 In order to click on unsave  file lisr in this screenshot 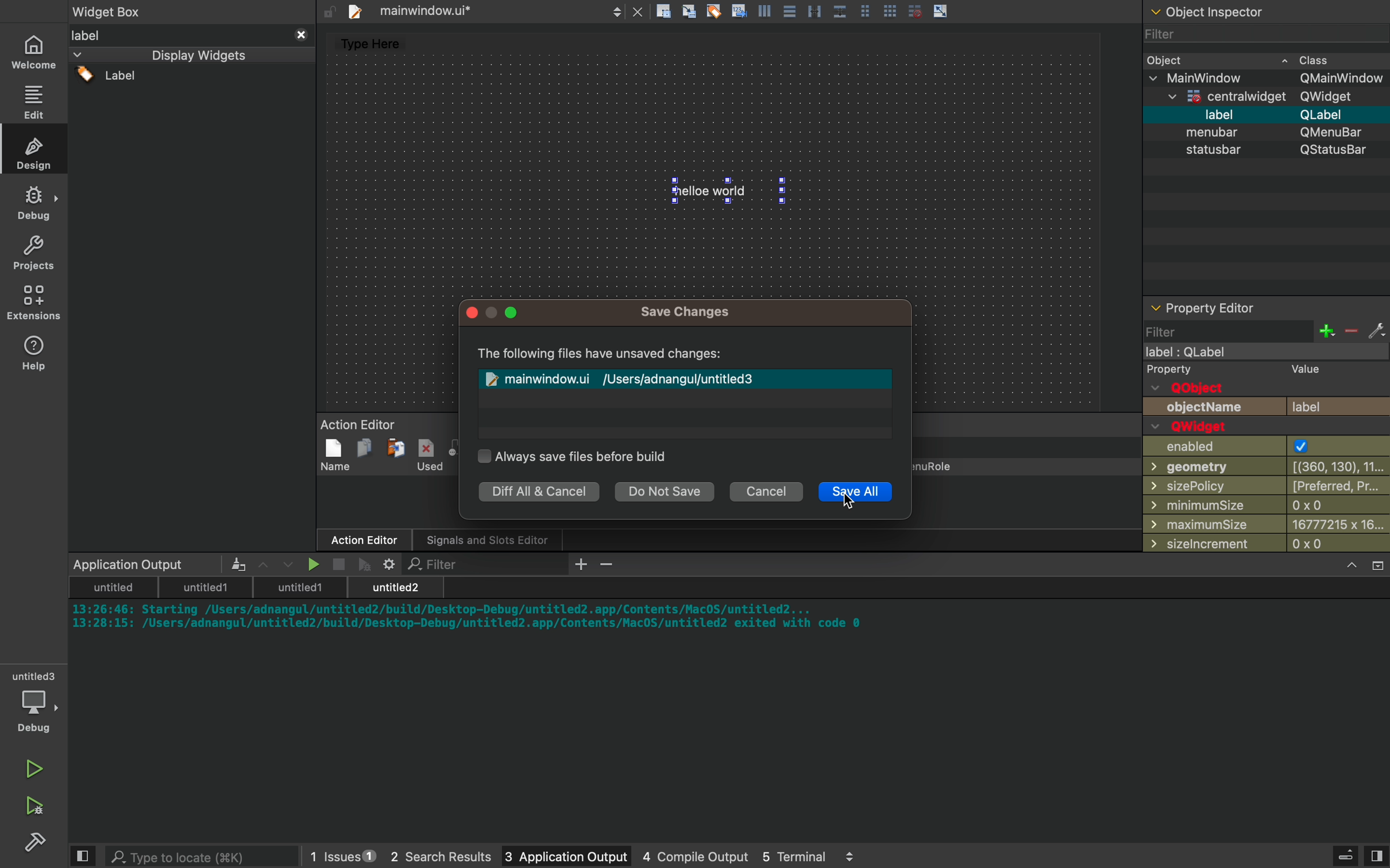, I will do `click(690, 398)`.